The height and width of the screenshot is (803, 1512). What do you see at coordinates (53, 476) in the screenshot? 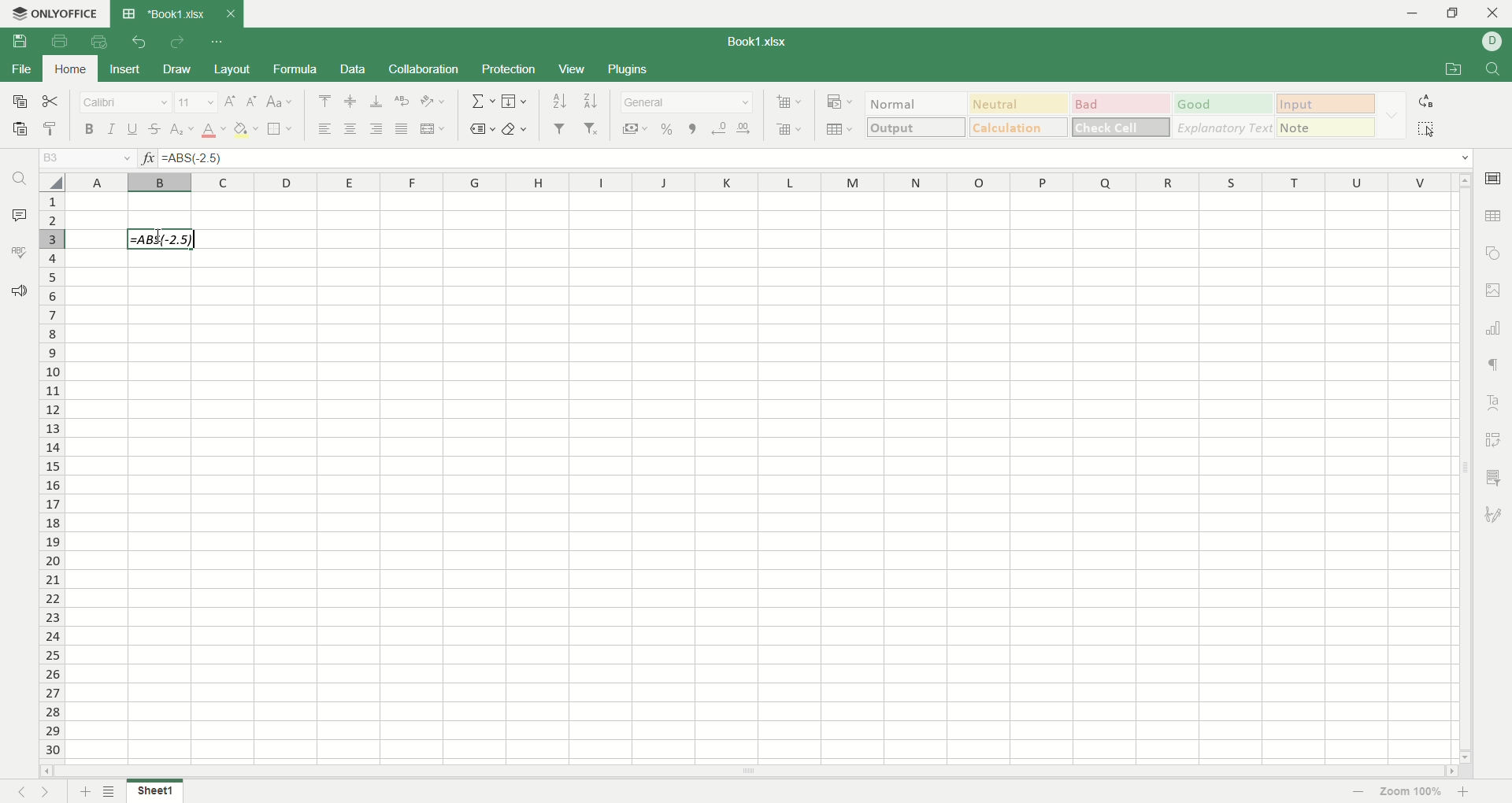
I see `row number` at bounding box center [53, 476].